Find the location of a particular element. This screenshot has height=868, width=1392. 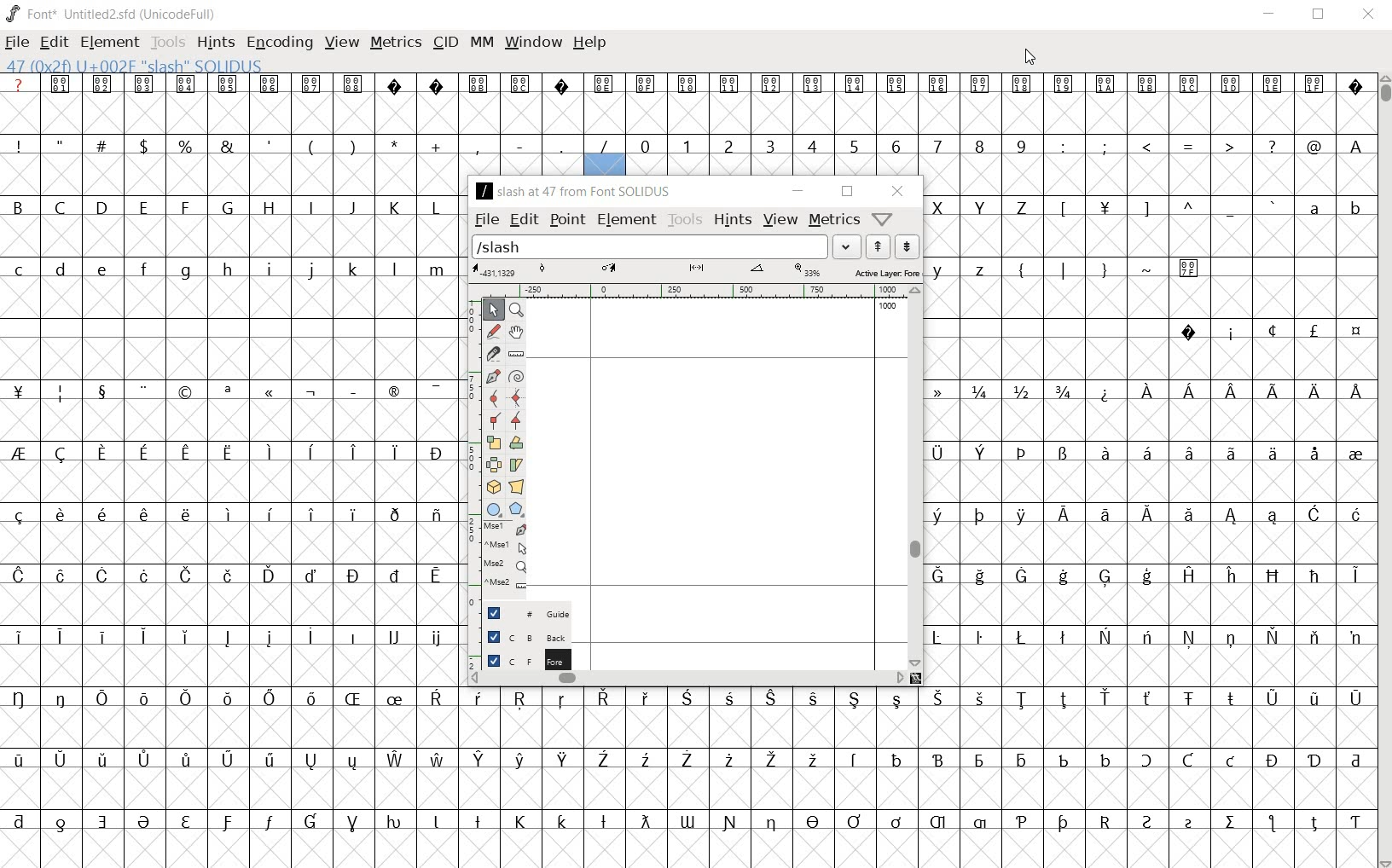

load word list is located at coordinates (668, 246).